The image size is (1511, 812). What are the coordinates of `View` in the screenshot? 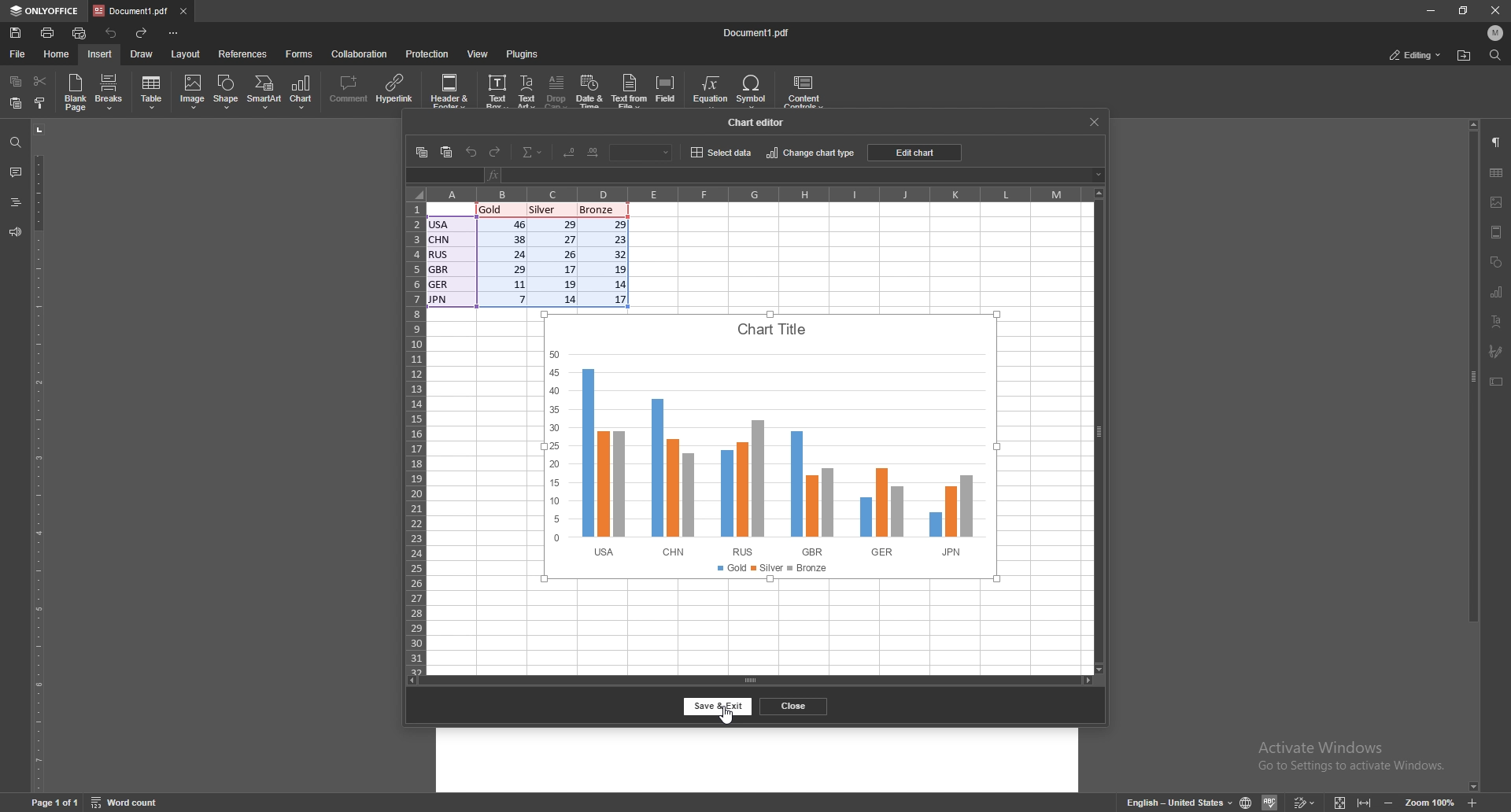 It's located at (1337, 803).